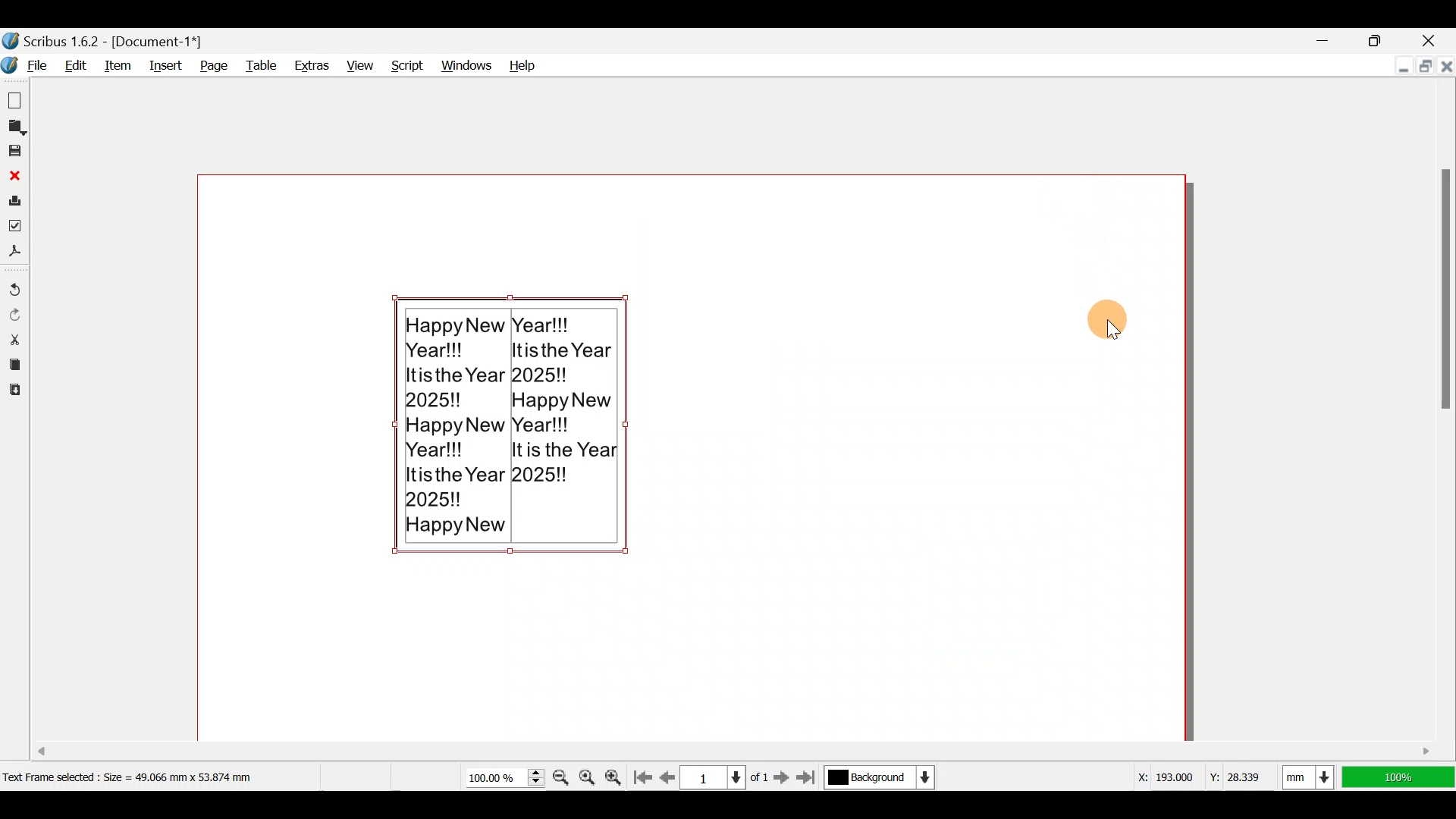 The width and height of the screenshot is (1456, 819). Describe the element at coordinates (358, 62) in the screenshot. I see `View` at that location.